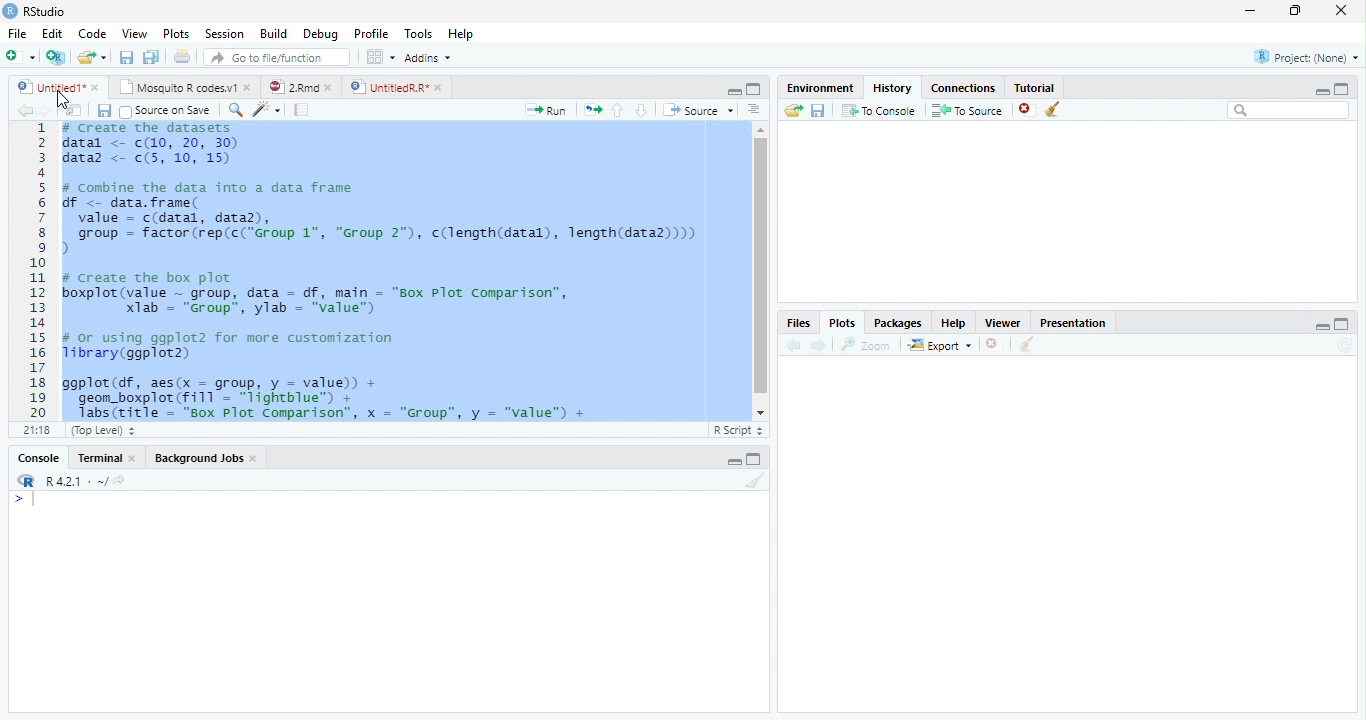 The image size is (1366, 720). Describe the element at coordinates (733, 462) in the screenshot. I see `Minimize` at that location.